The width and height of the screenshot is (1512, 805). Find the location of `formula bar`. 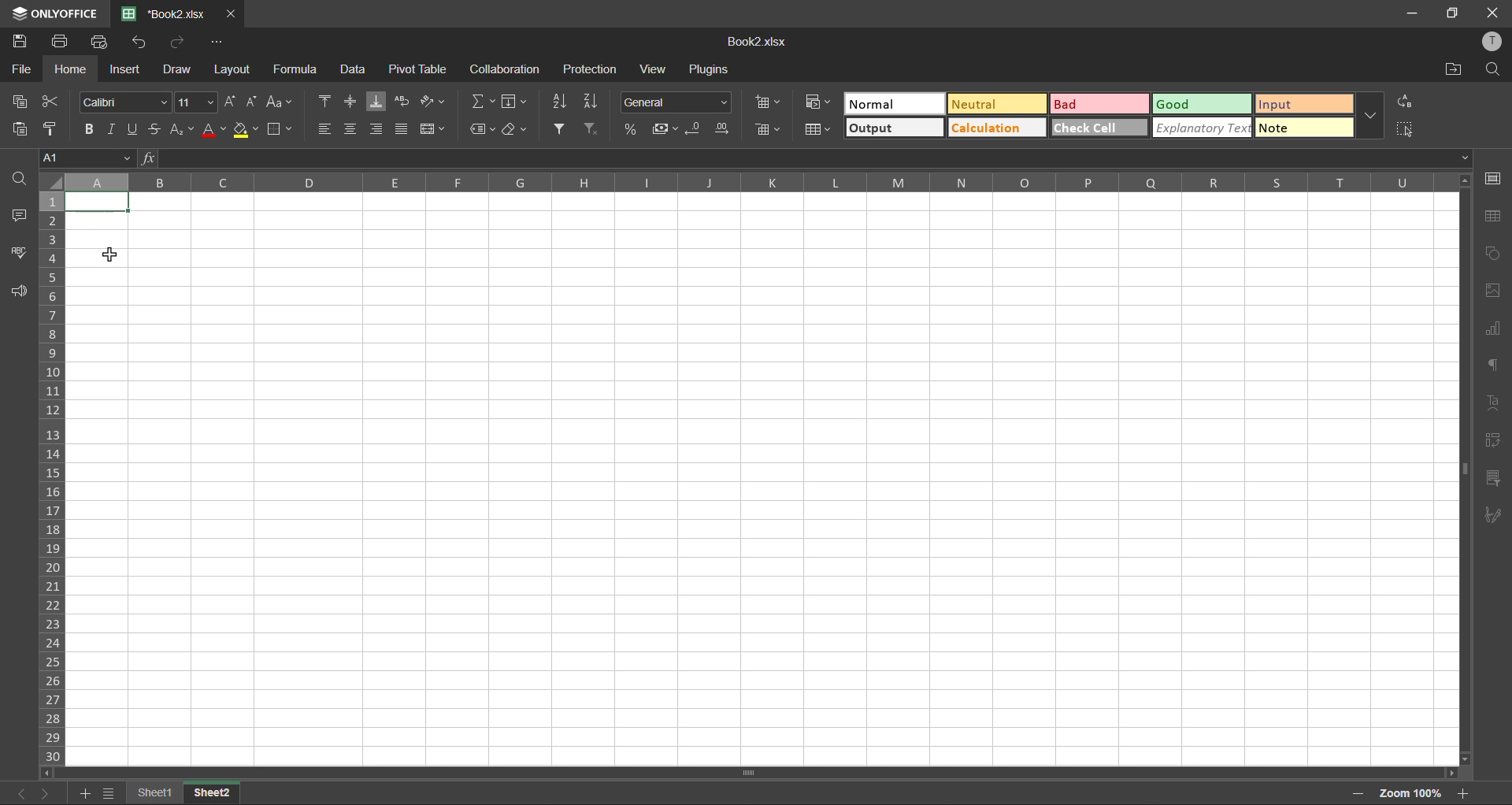

formula bar is located at coordinates (806, 158).